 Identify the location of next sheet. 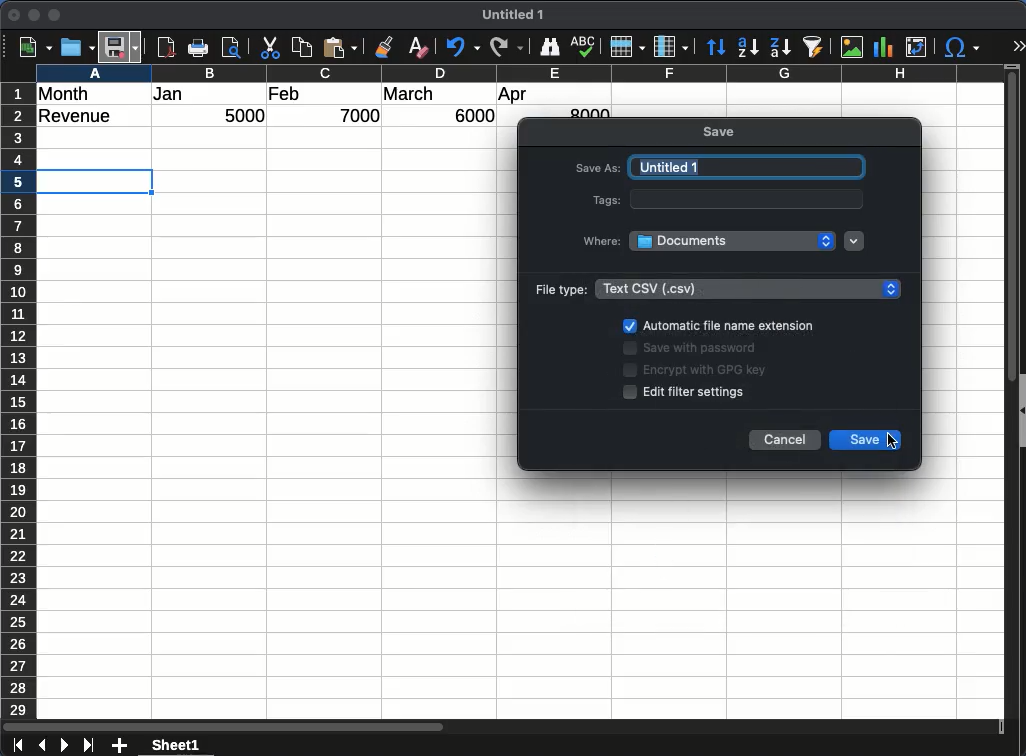
(63, 746).